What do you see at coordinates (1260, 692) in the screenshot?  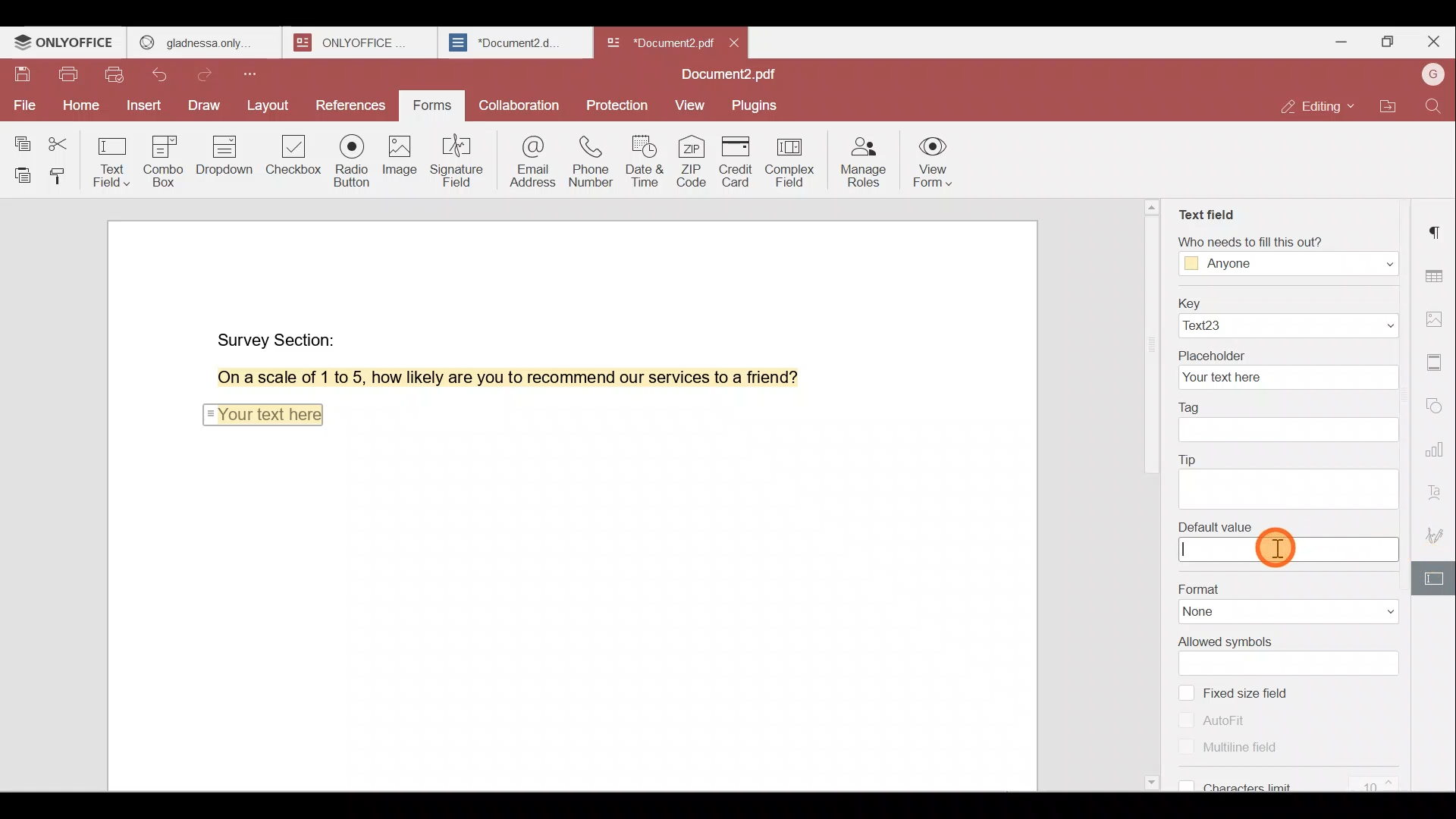 I see `Fixed size field` at bounding box center [1260, 692].